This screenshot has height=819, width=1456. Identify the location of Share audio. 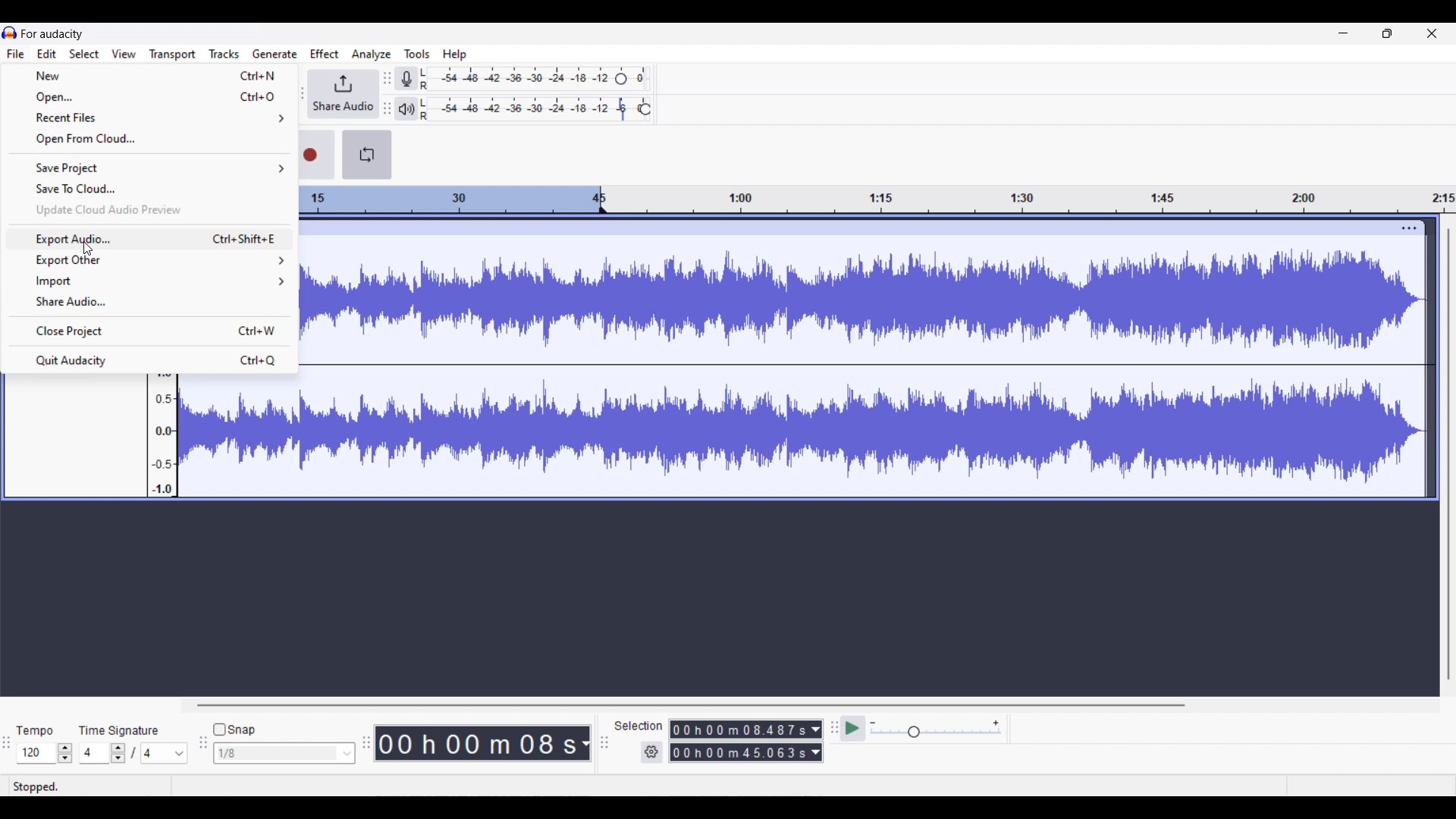
(150, 303).